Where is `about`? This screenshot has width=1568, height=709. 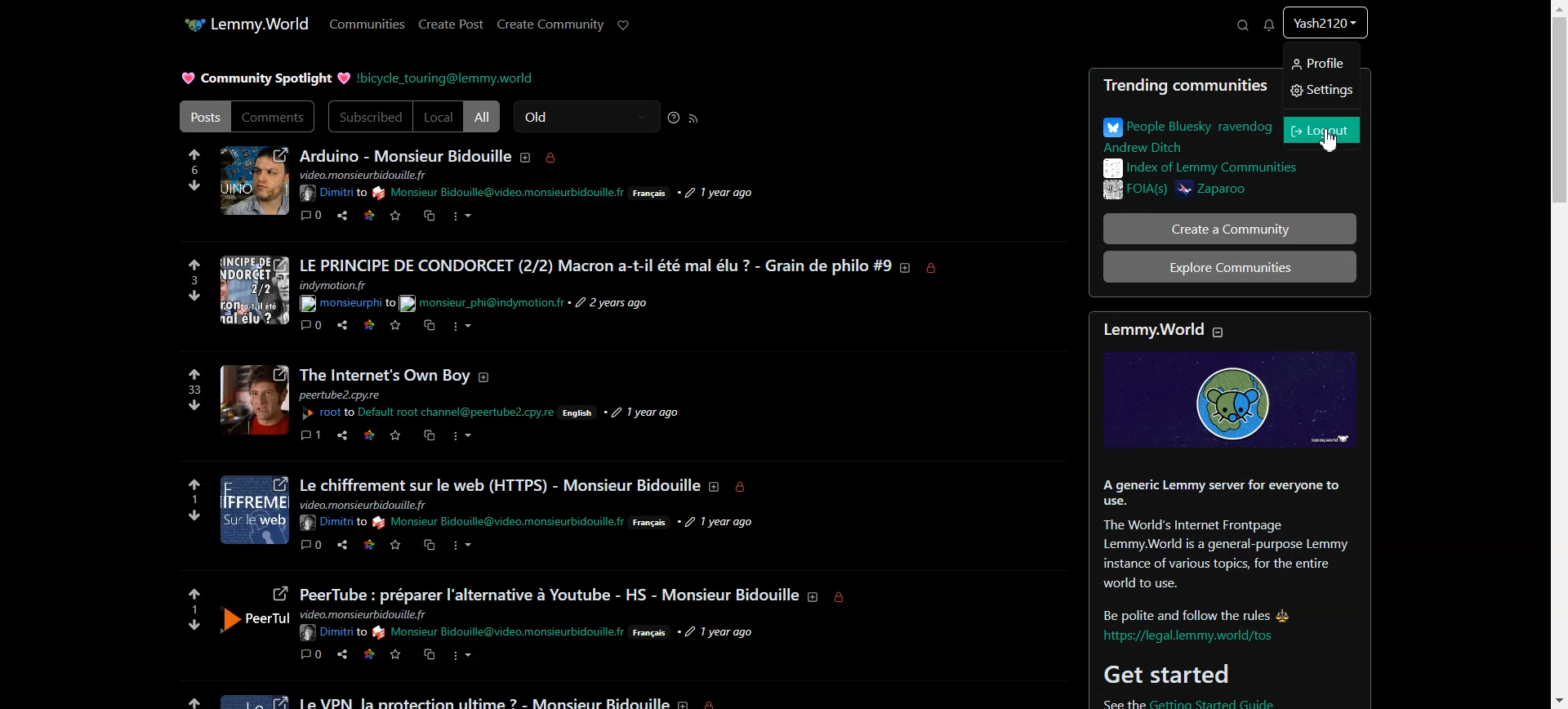
about is located at coordinates (906, 268).